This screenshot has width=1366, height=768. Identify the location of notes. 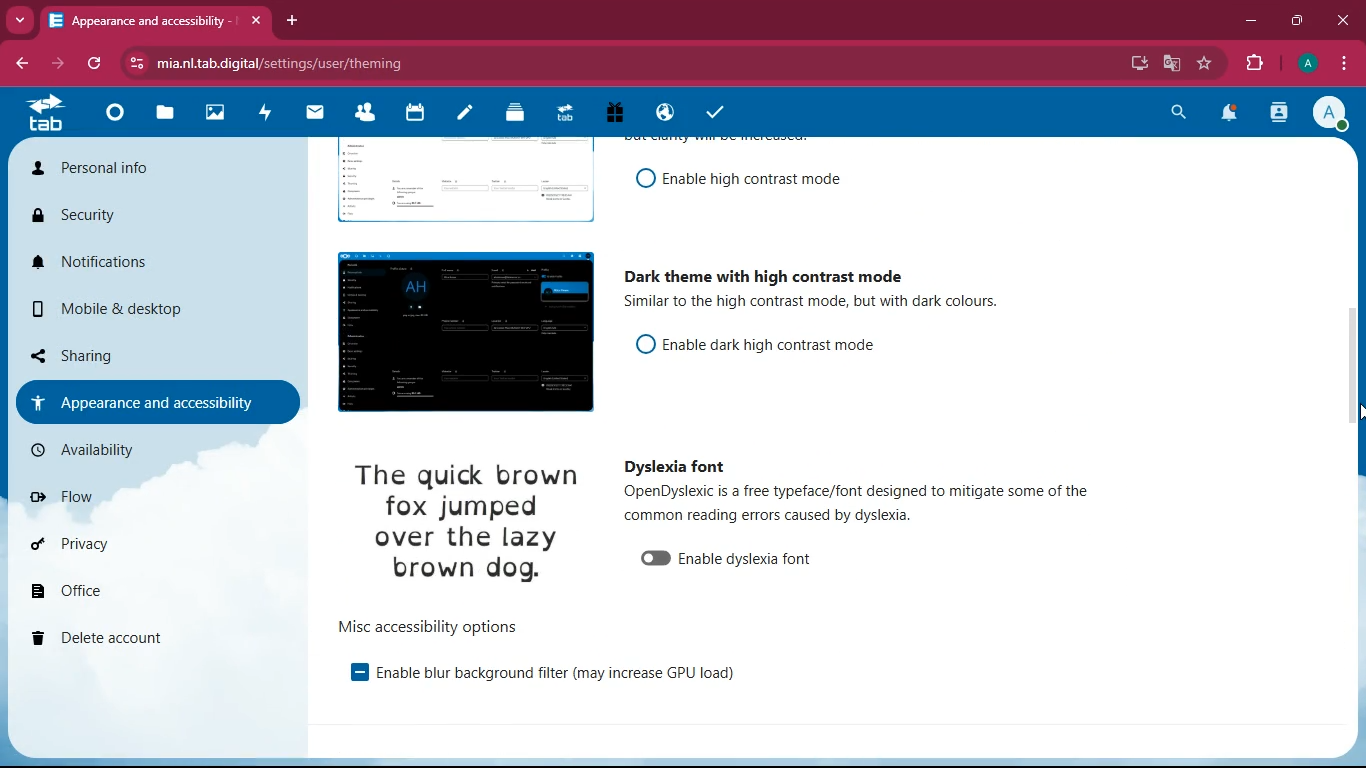
(469, 117).